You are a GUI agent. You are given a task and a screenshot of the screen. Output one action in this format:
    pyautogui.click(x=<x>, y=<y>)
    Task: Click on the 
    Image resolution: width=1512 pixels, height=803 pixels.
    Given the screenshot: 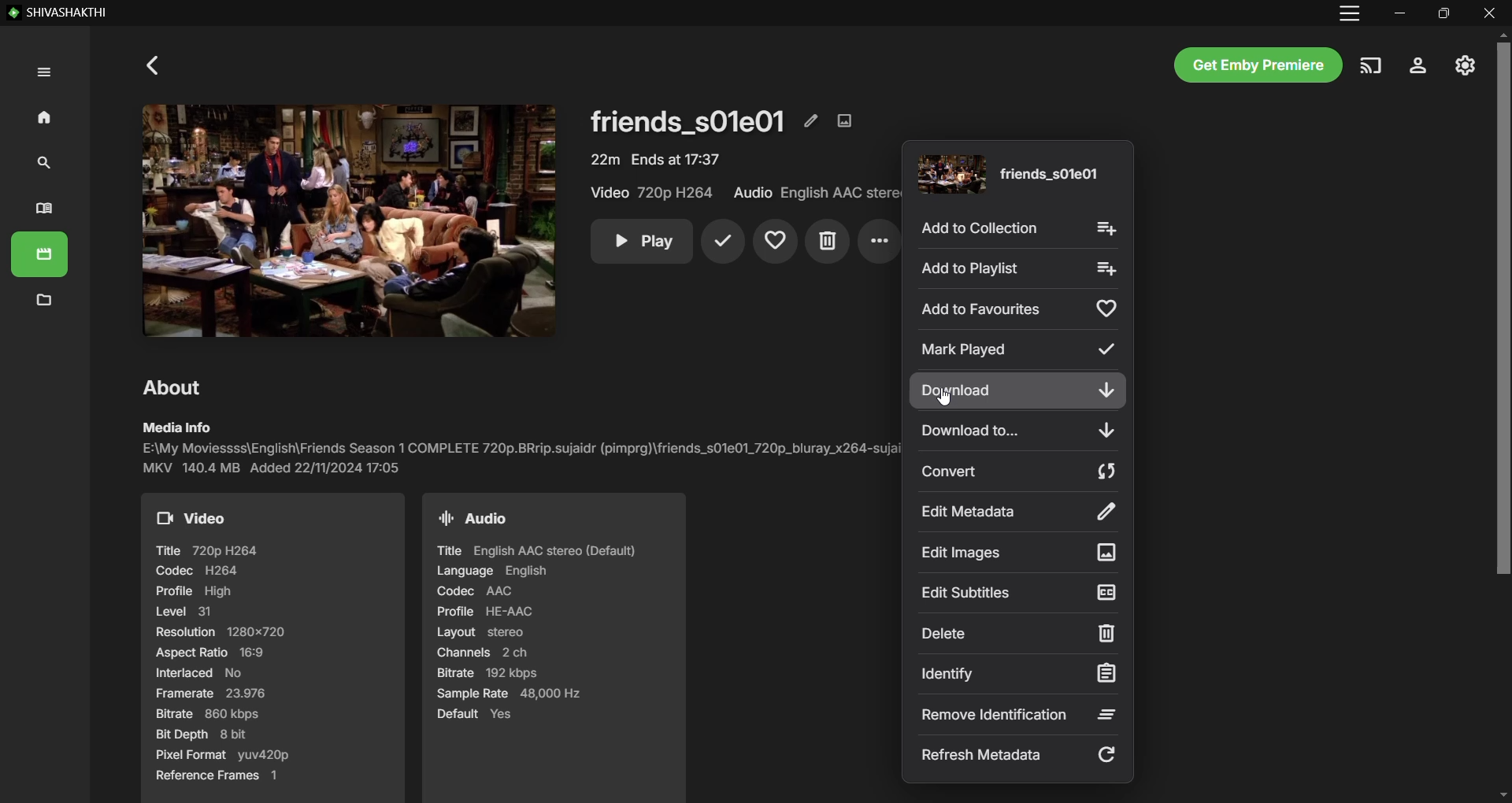 What is the action you would take?
    pyautogui.click(x=157, y=66)
    